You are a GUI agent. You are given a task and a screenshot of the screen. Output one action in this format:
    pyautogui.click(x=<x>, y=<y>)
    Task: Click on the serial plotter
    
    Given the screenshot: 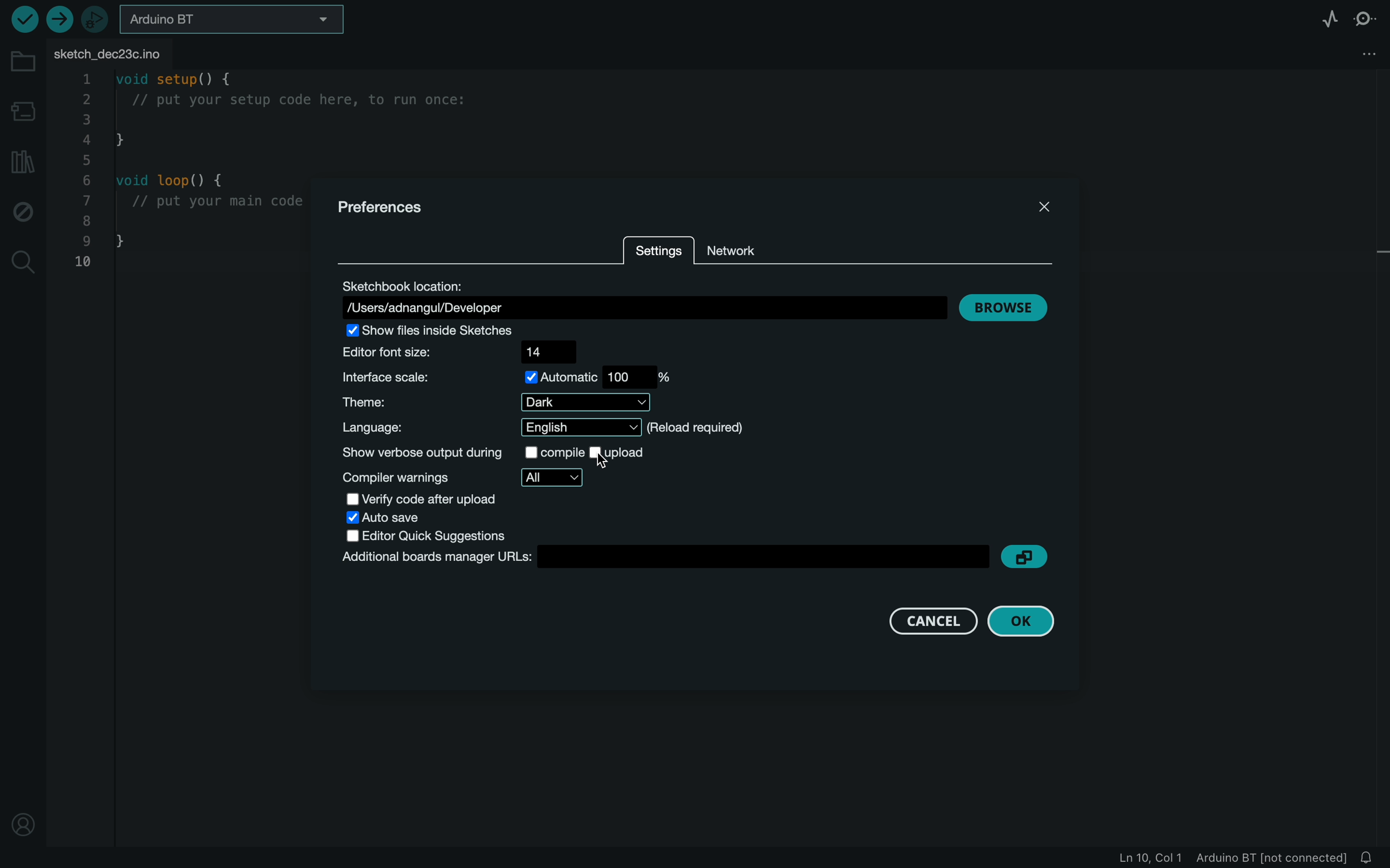 What is the action you would take?
    pyautogui.click(x=1320, y=17)
    